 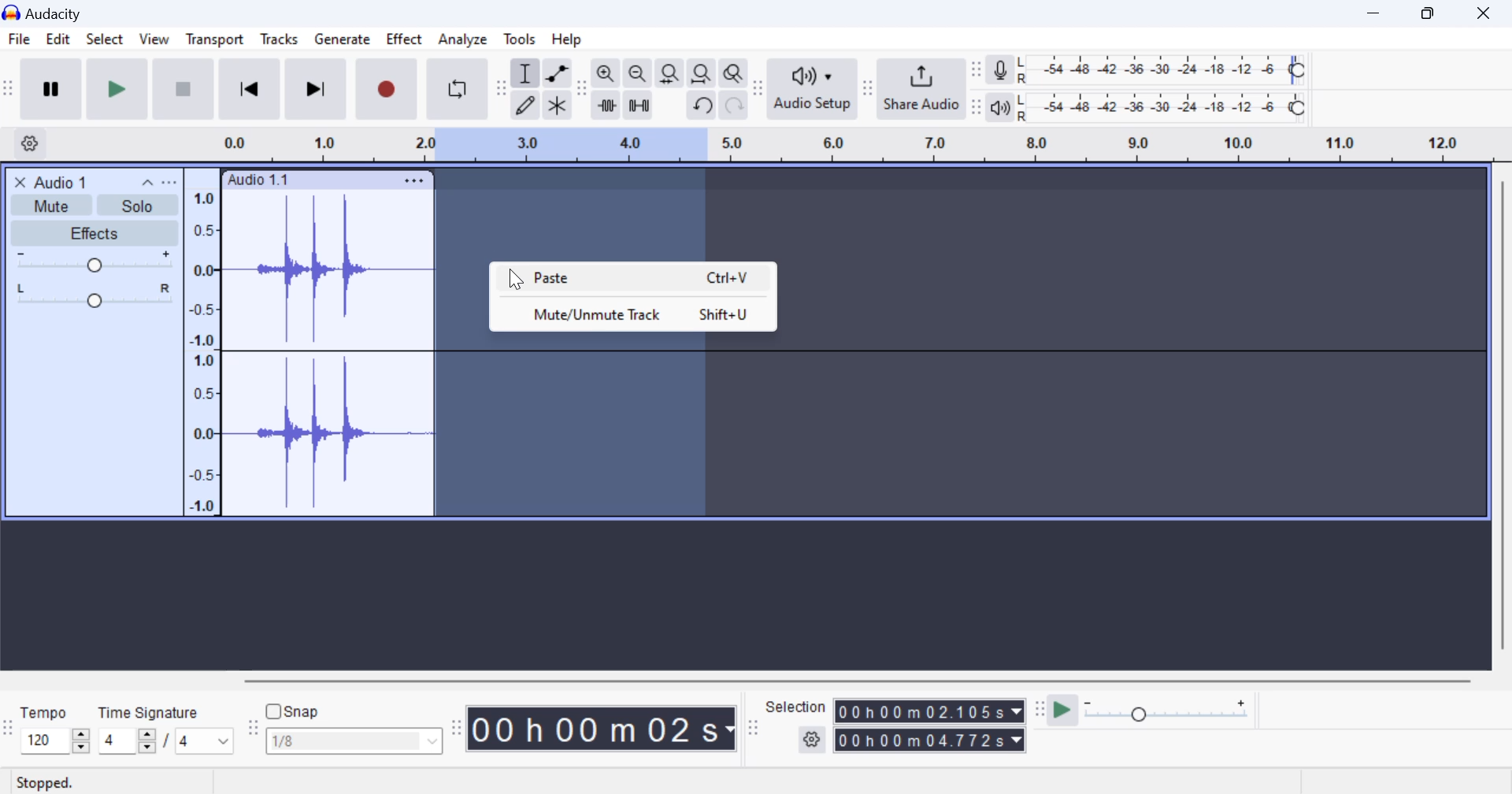 What do you see at coordinates (1162, 108) in the screenshot?
I see `Playback Level` at bounding box center [1162, 108].